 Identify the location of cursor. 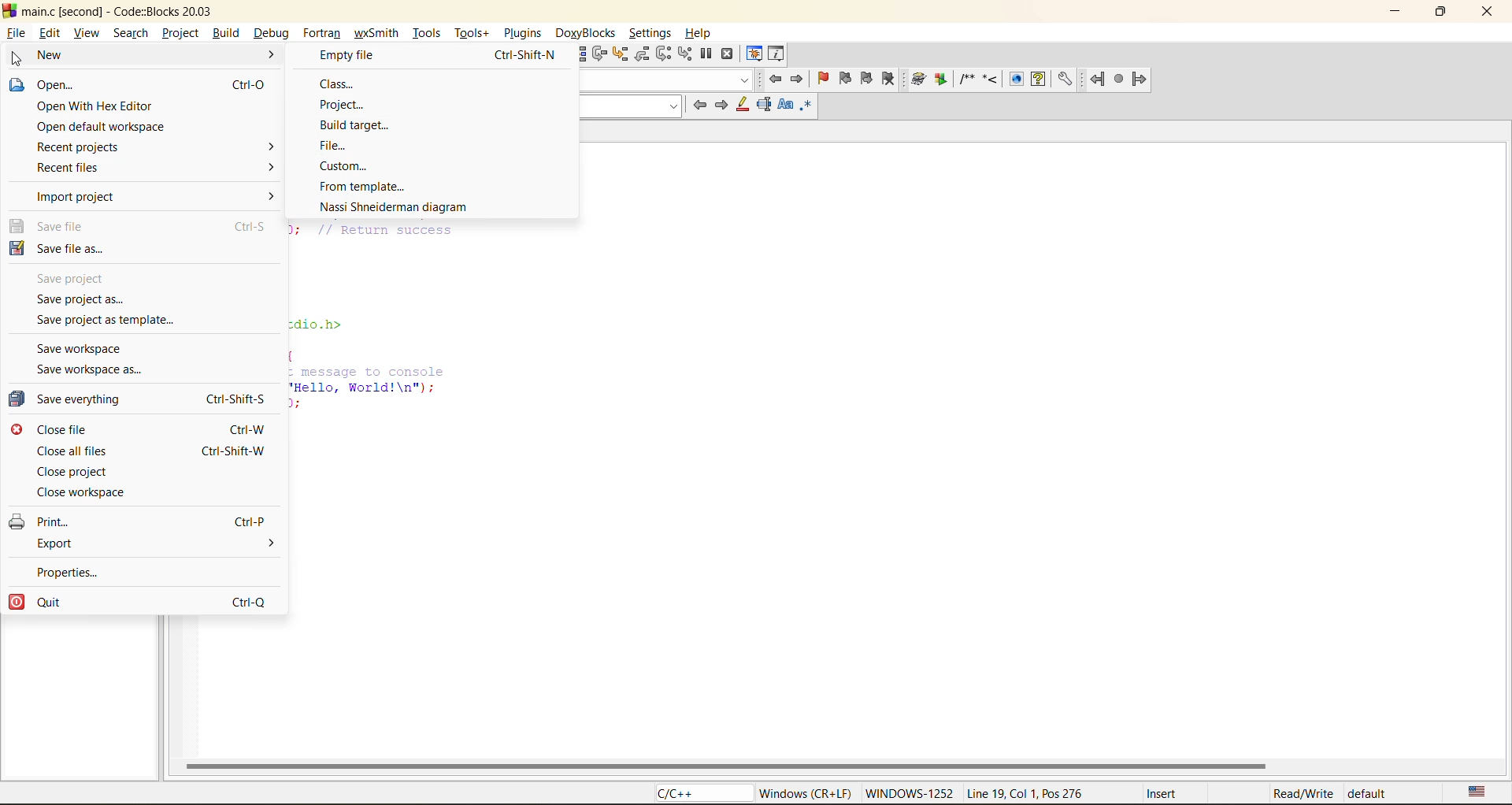
(17, 59).